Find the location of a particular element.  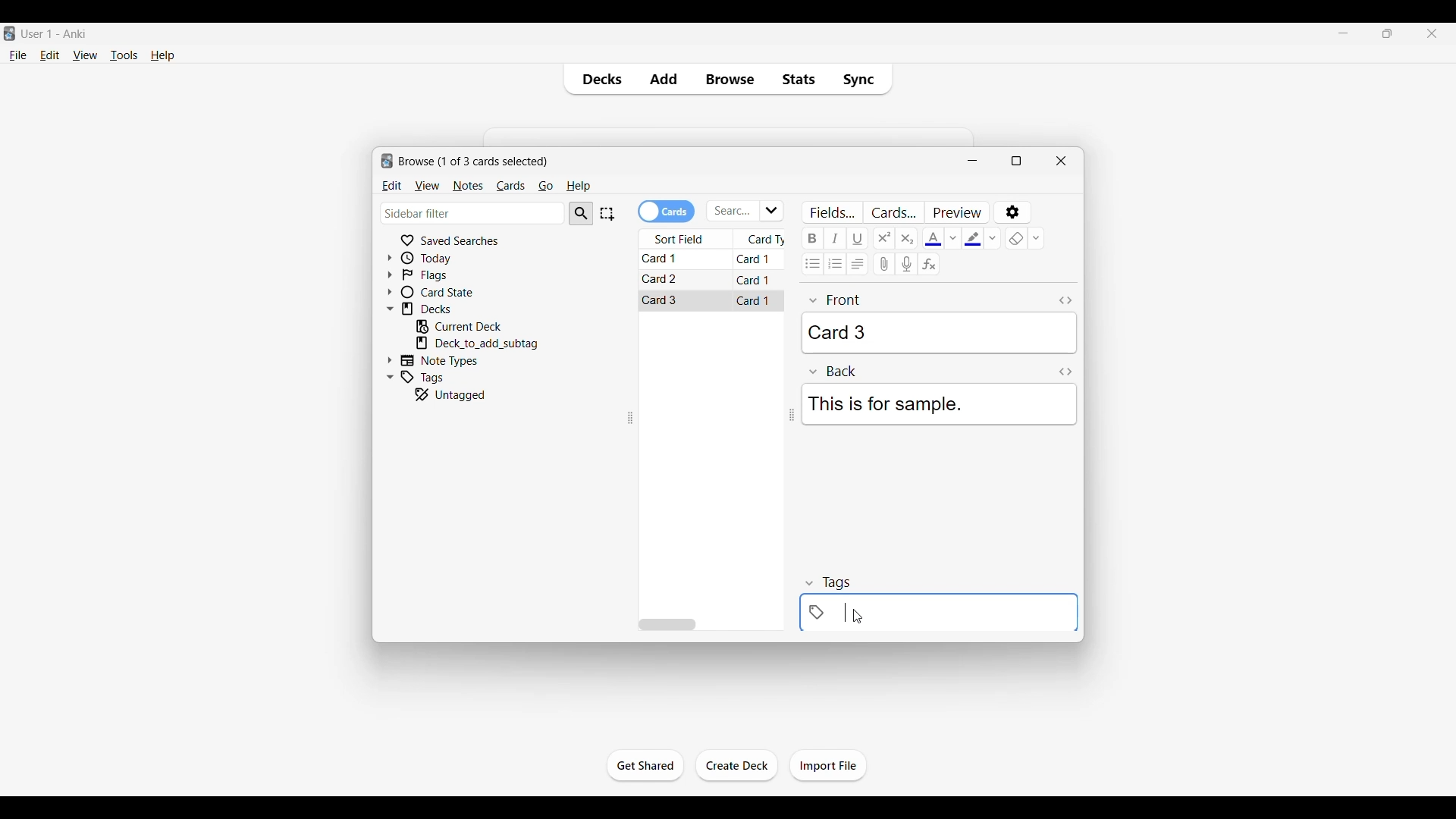

Italic text is located at coordinates (835, 238).